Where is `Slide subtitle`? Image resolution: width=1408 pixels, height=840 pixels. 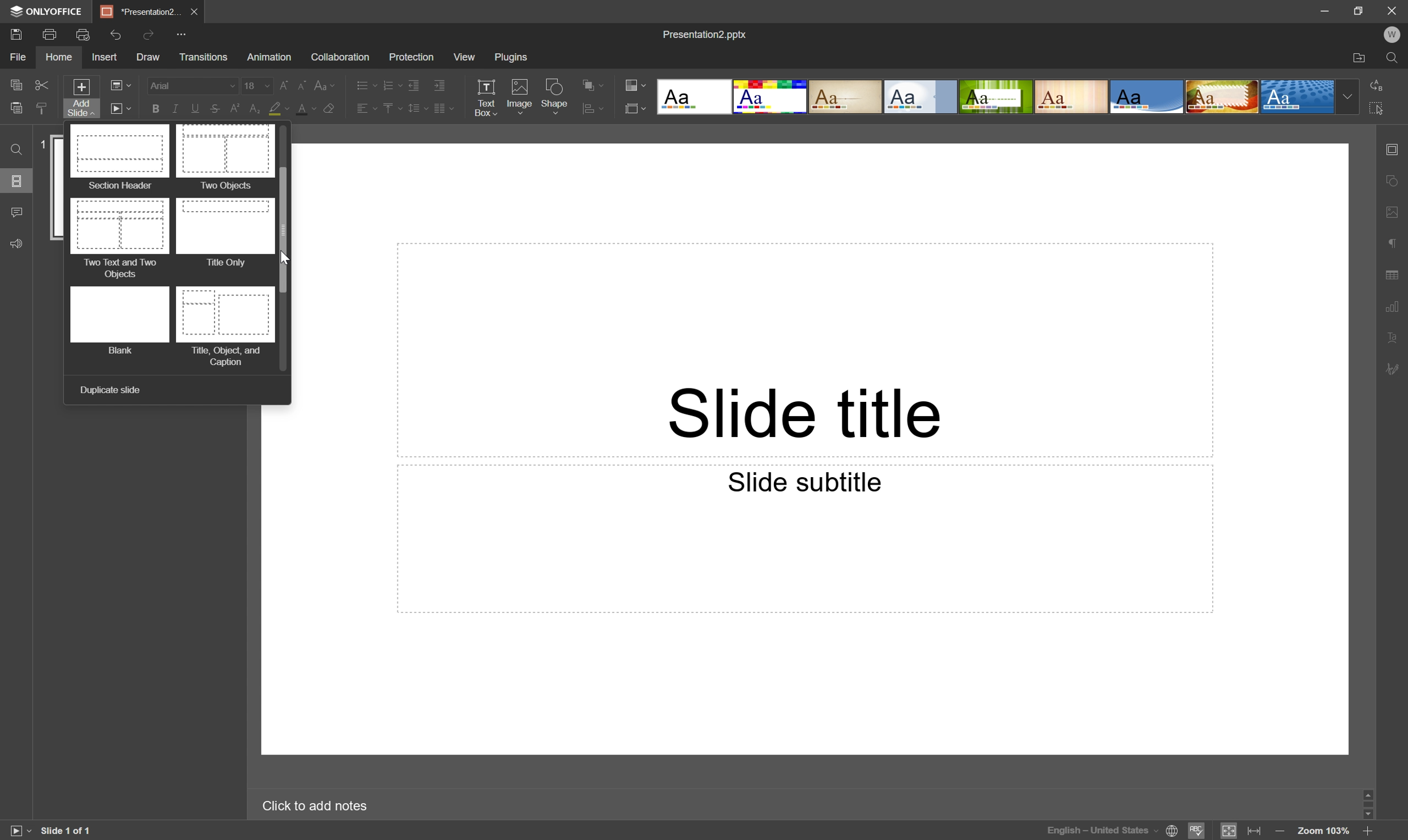
Slide subtitle is located at coordinates (806, 482).